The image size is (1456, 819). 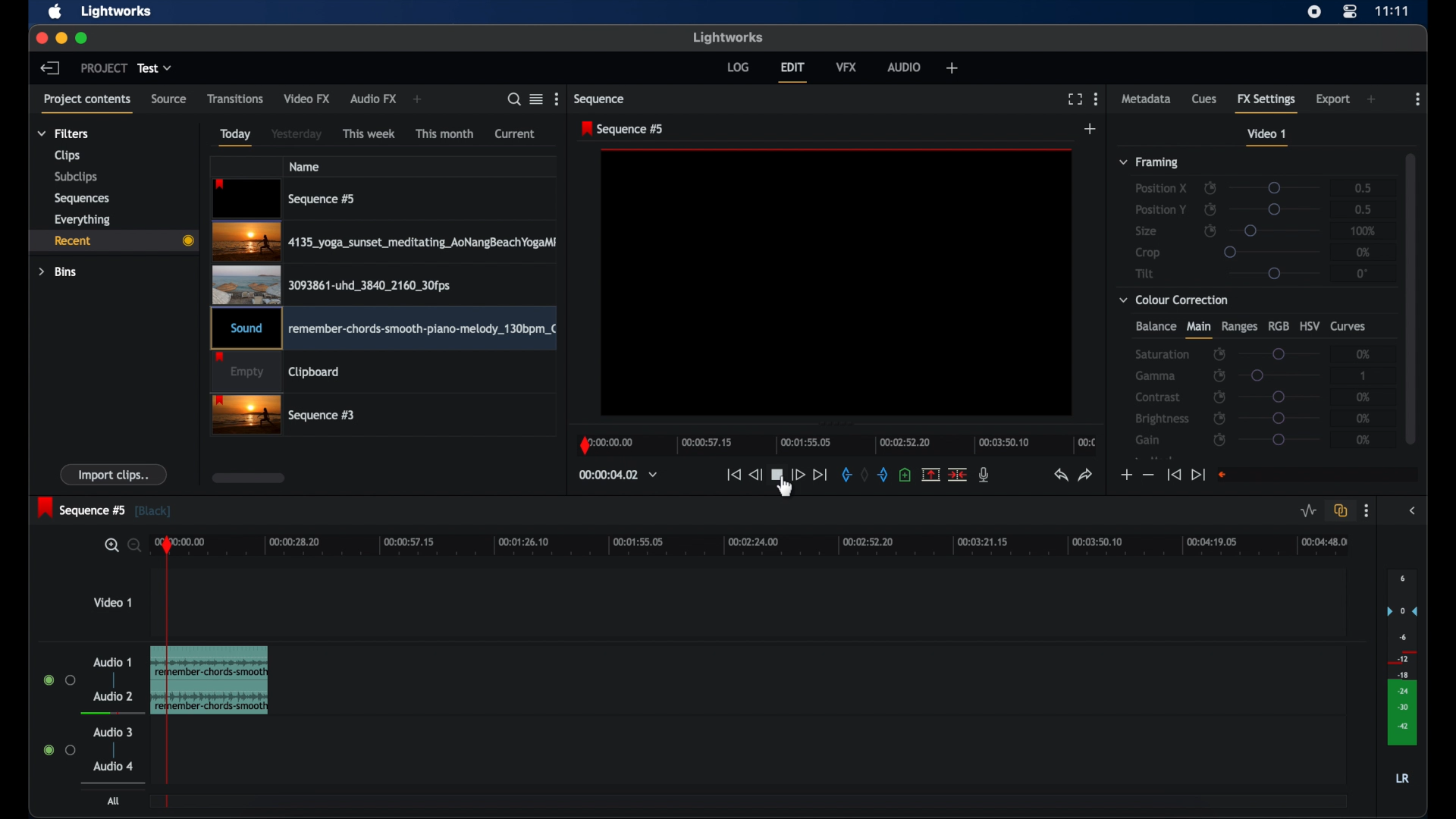 What do you see at coordinates (1364, 440) in the screenshot?
I see `0%` at bounding box center [1364, 440].